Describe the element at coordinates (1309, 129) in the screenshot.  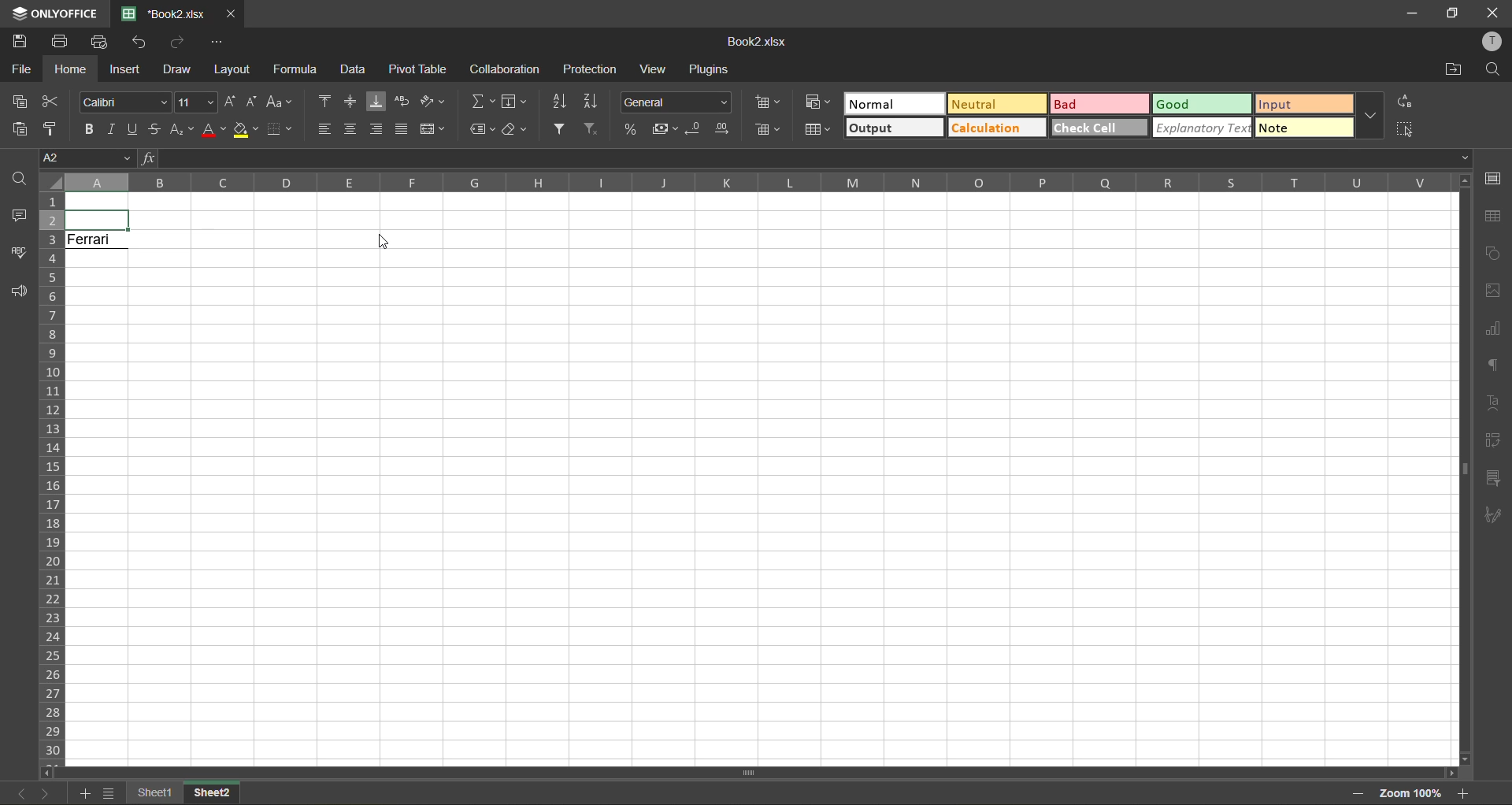
I see `note` at that location.